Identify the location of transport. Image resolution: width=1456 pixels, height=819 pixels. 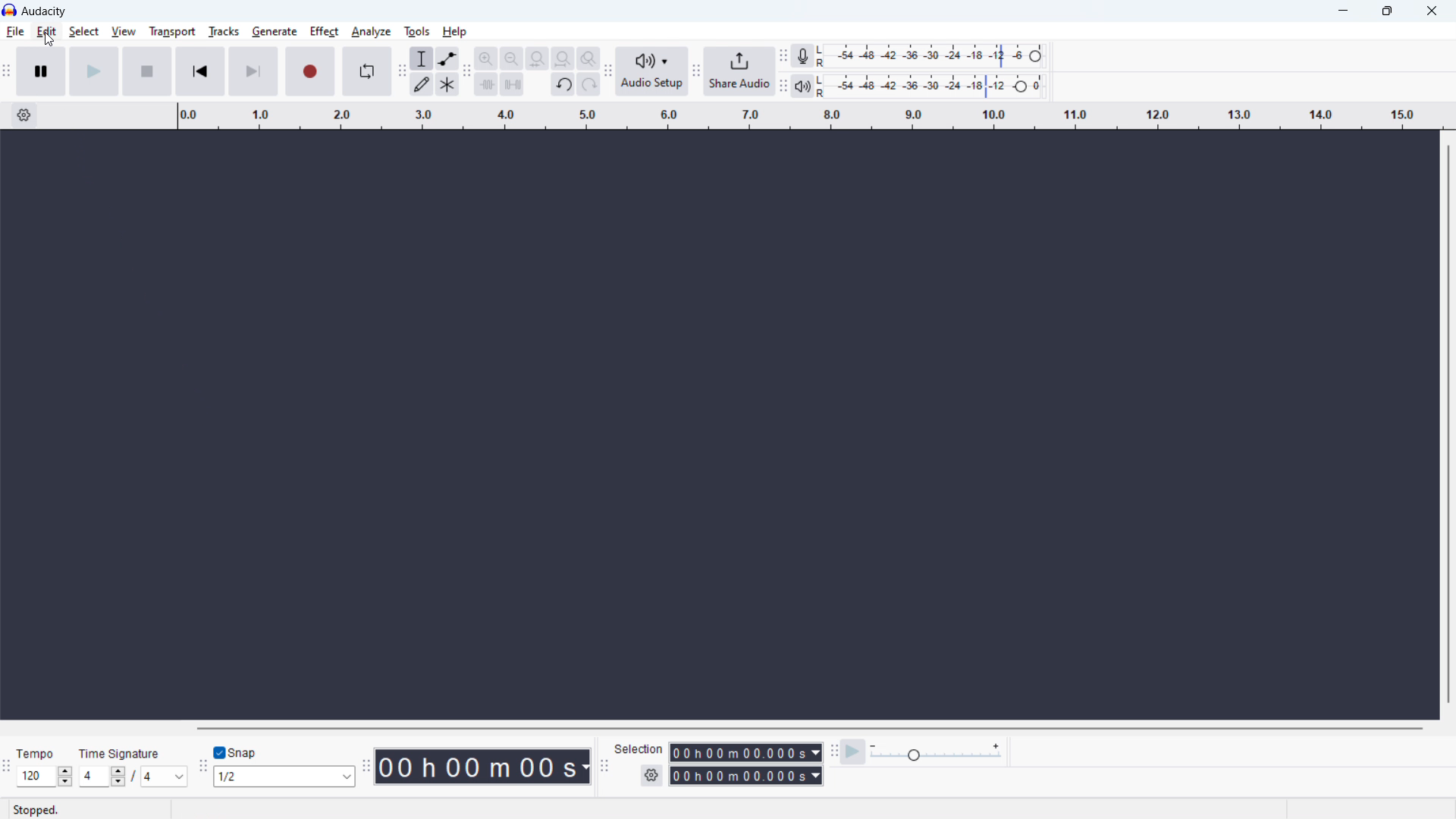
(172, 30).